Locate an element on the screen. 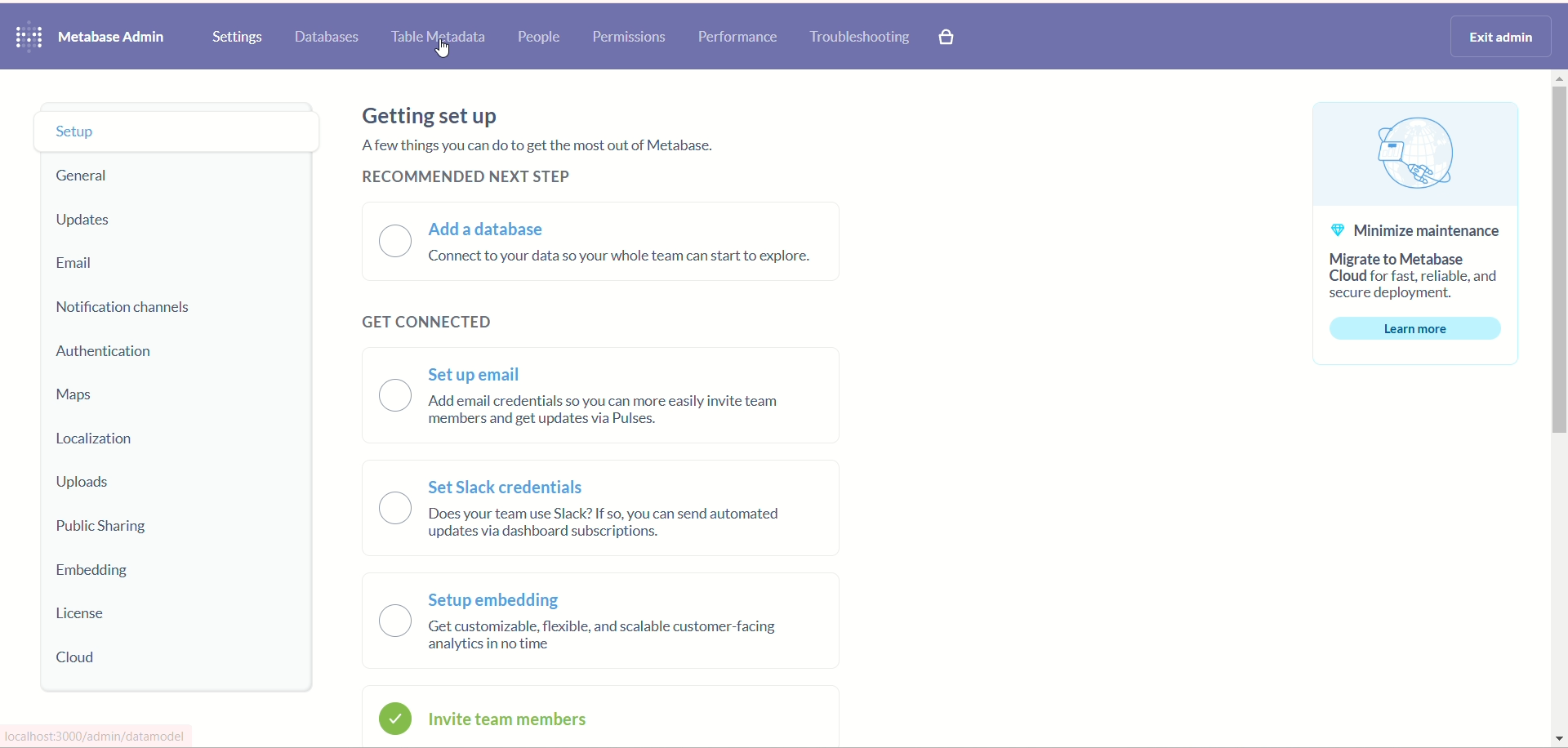 This screenshot has width=1568, height=748. text is located at coordinates (626, 388).